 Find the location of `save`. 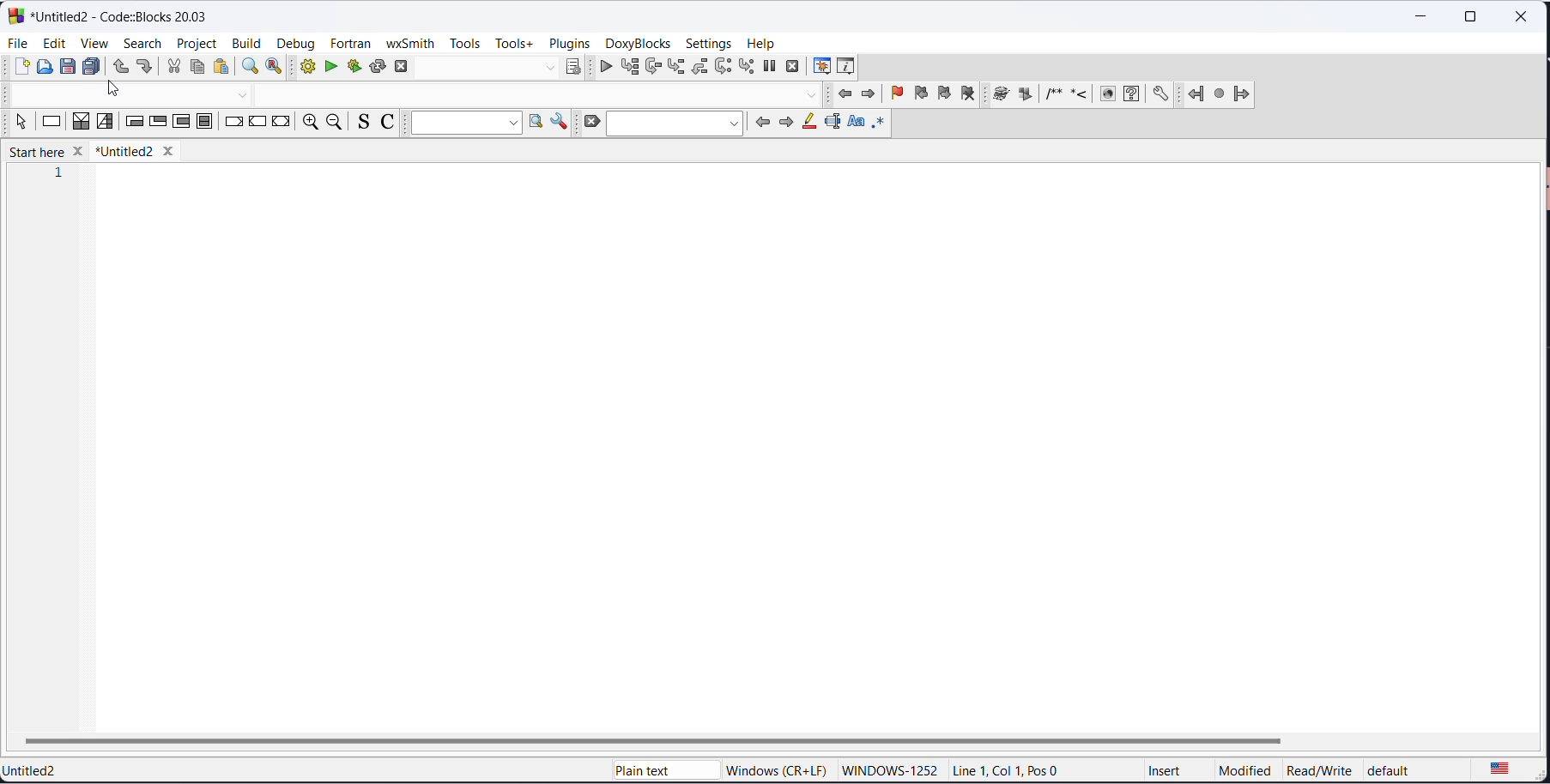

save is located at coordinates (68, 66).